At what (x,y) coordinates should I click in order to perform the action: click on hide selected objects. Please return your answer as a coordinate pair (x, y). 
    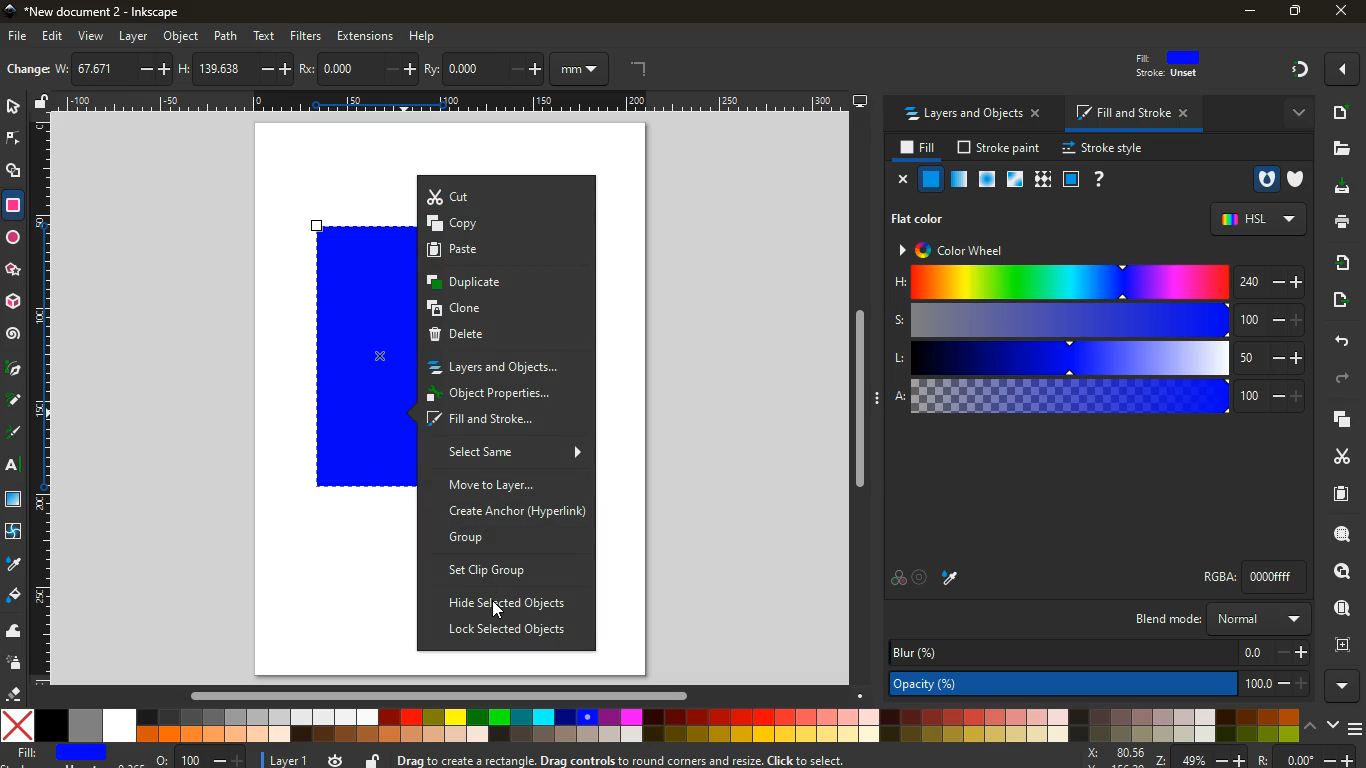
    Looking at the image, I should click on (509, 603).